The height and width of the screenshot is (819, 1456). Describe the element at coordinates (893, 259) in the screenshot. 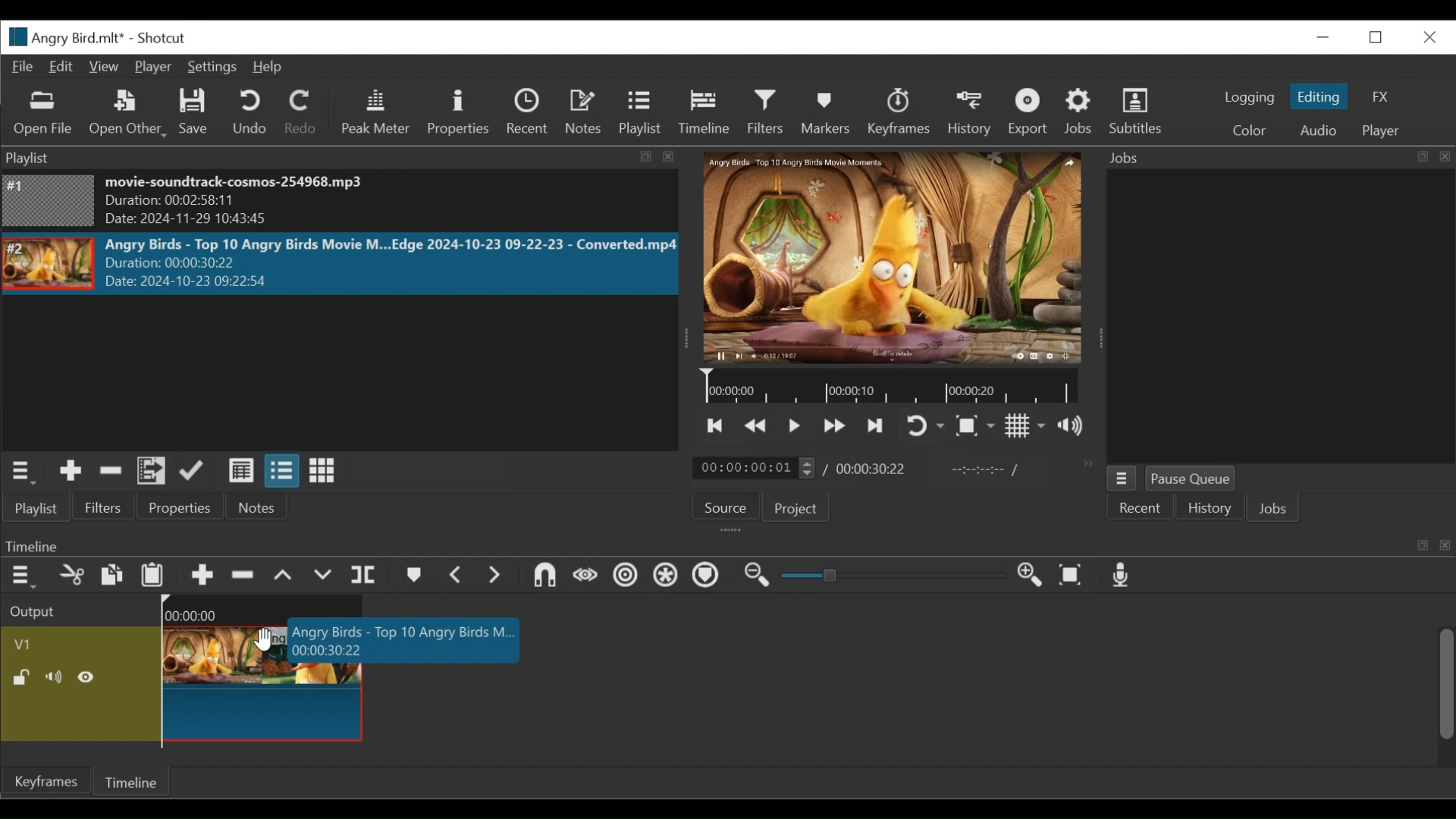

I see `Media Viewer` at that location.